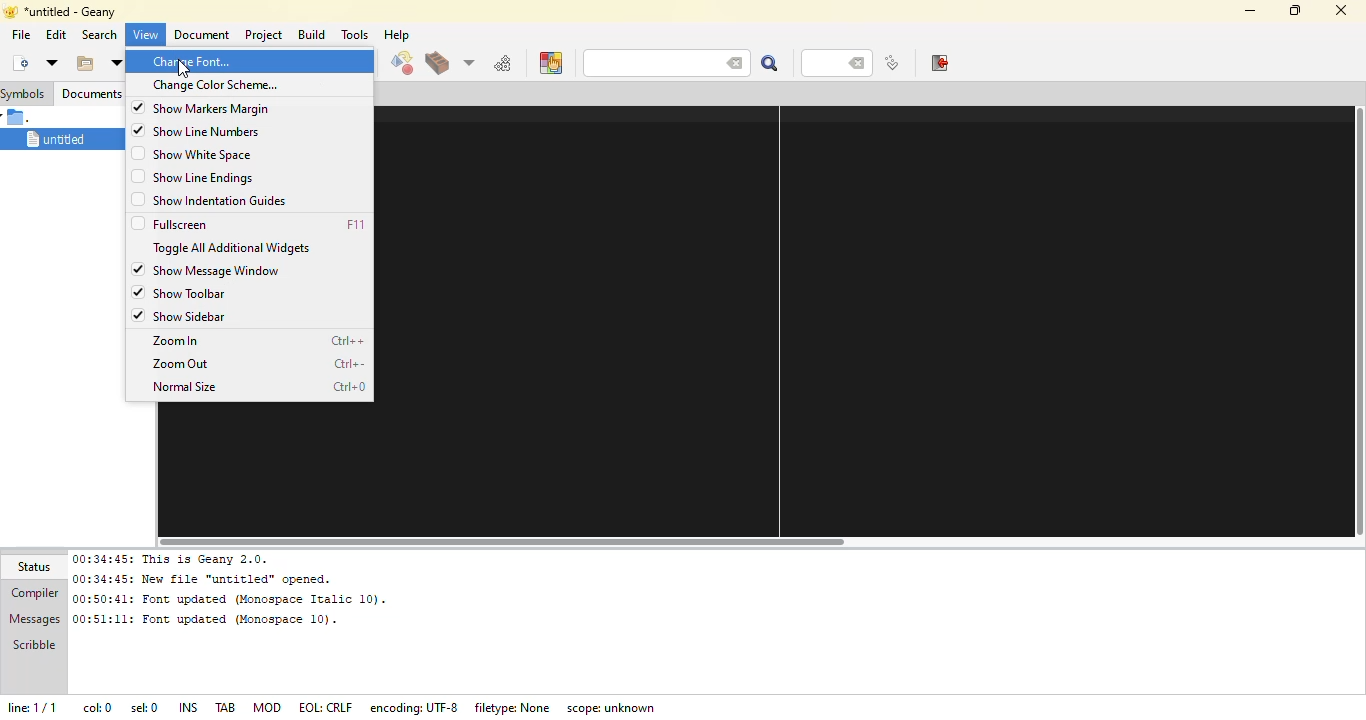 This screenshot has width=1366, height=720. I want to click on compiler, so click(34, 593).